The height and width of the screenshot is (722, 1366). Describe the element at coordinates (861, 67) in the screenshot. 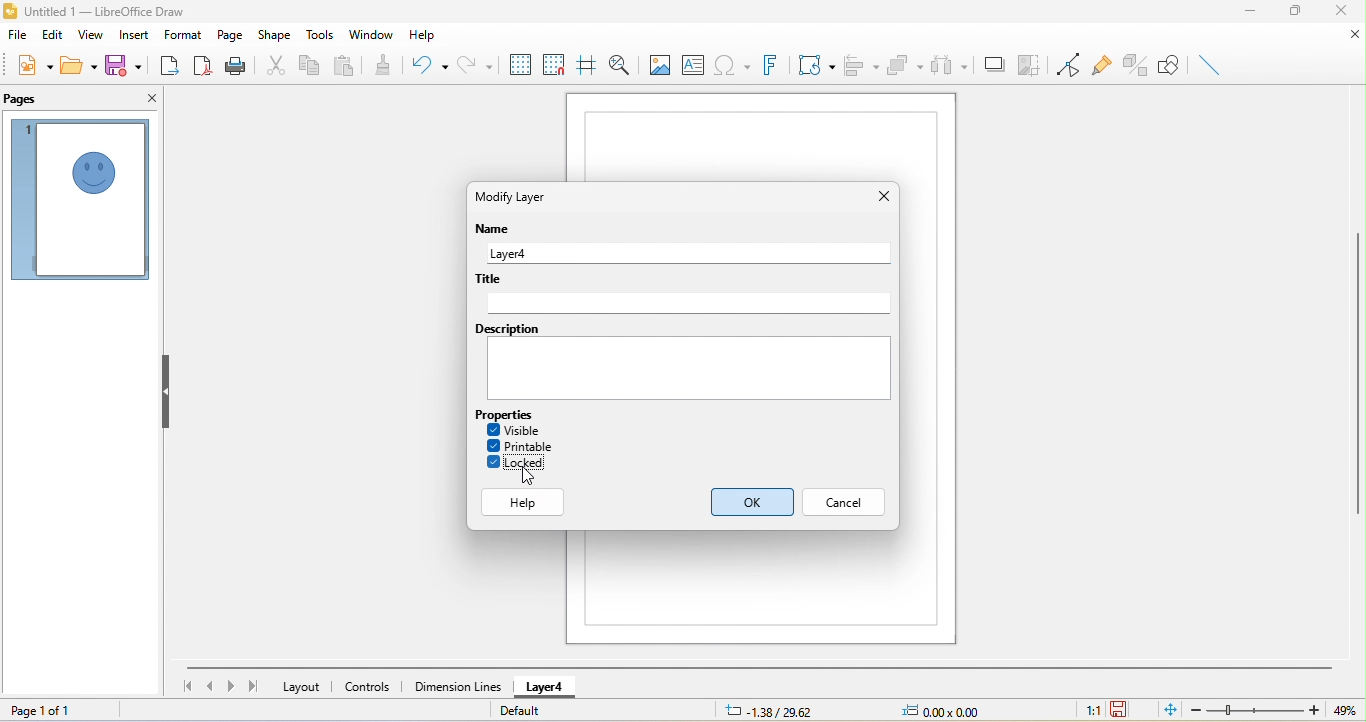

I see `align object` at that location.